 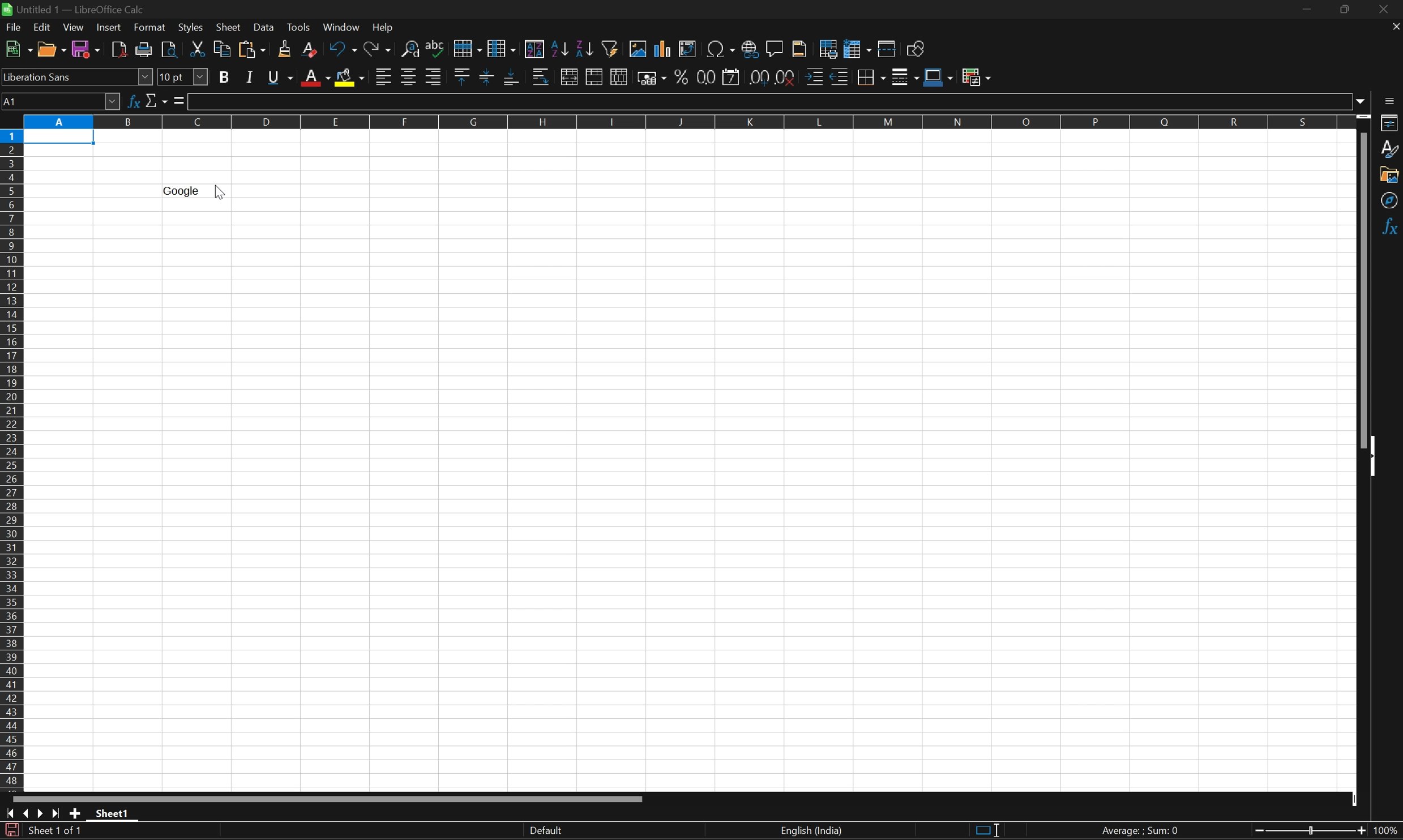 What do you see at coordinates (10, 815) in the screenshot?
I see `Scroll to first sheet` at bounding box center [10, 815].